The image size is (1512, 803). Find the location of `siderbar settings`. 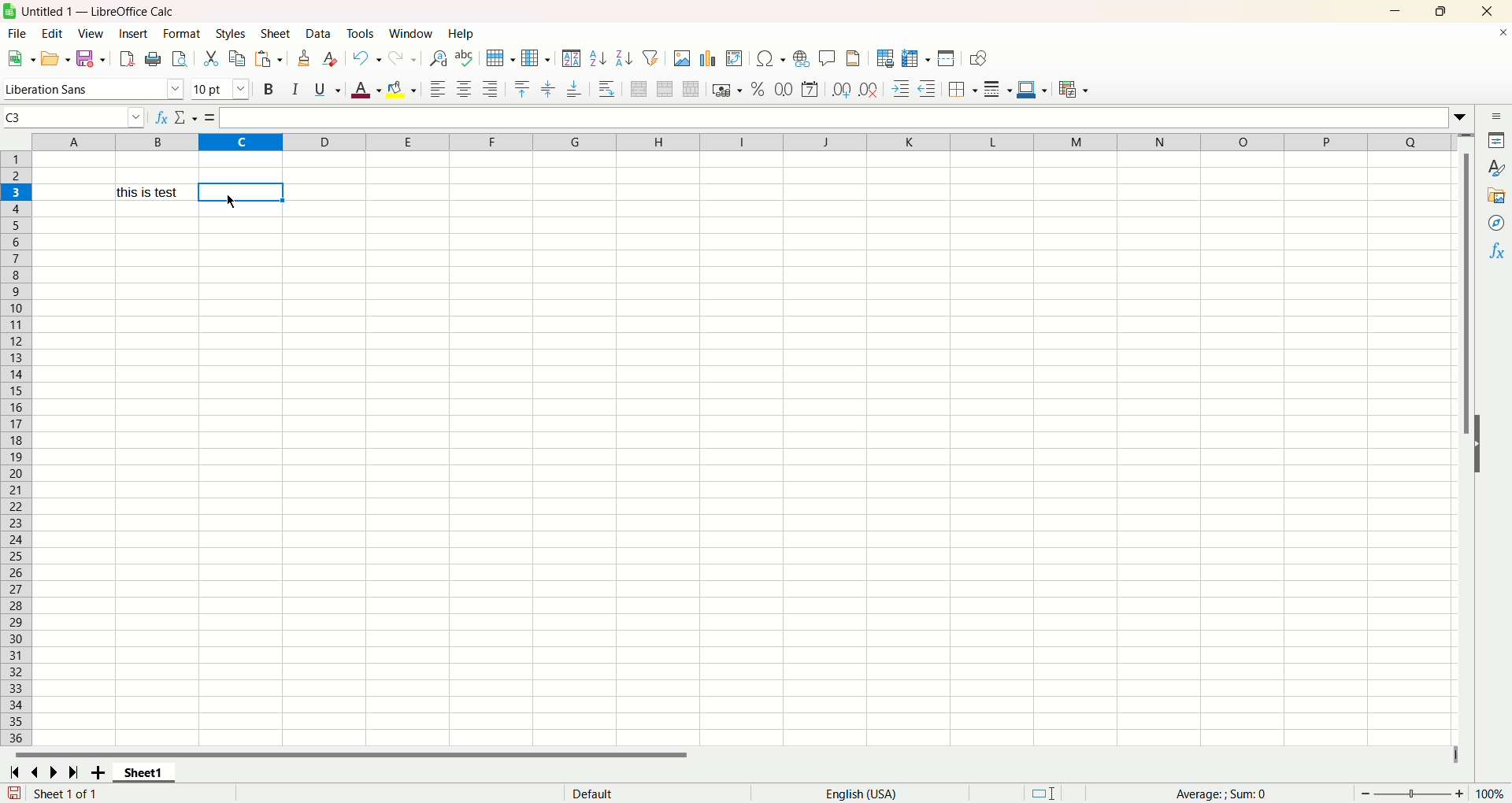

siderbar settings is located at coordinates (1499, 117).